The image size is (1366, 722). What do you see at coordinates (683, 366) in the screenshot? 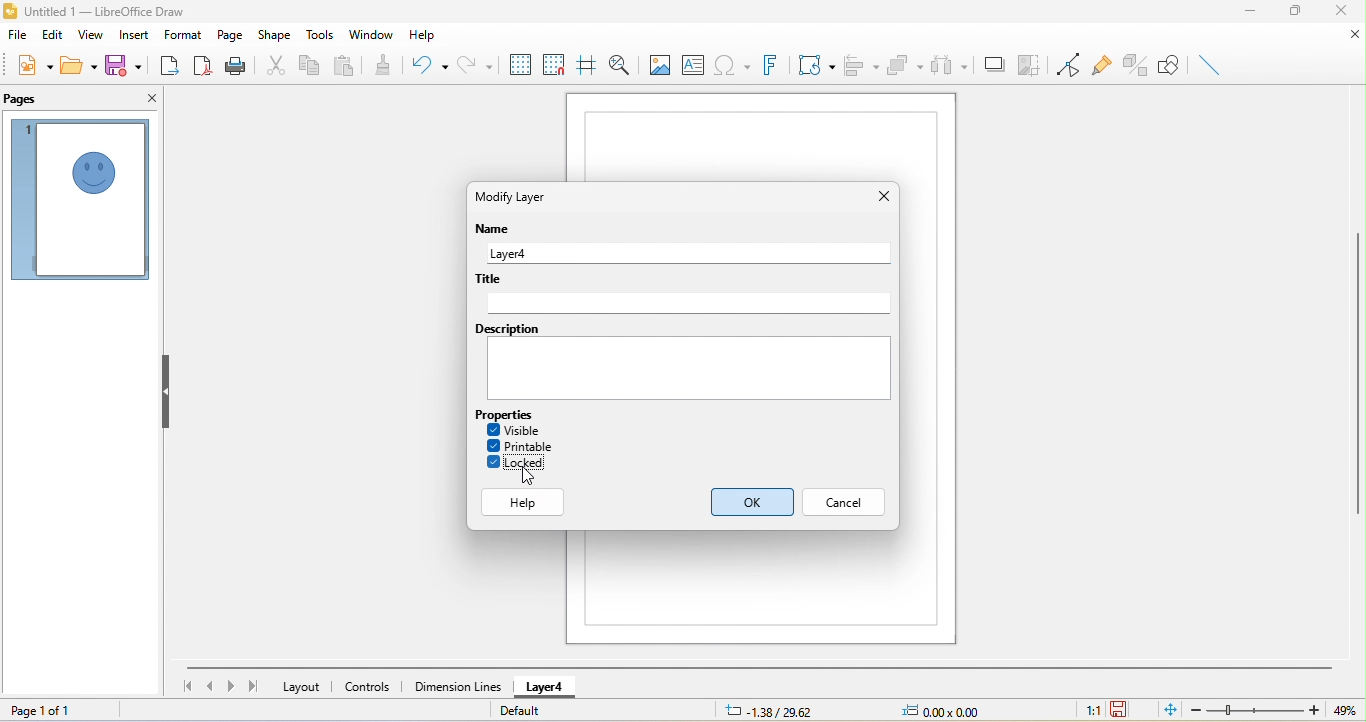
I see `description` at bounding box center [683, 366].